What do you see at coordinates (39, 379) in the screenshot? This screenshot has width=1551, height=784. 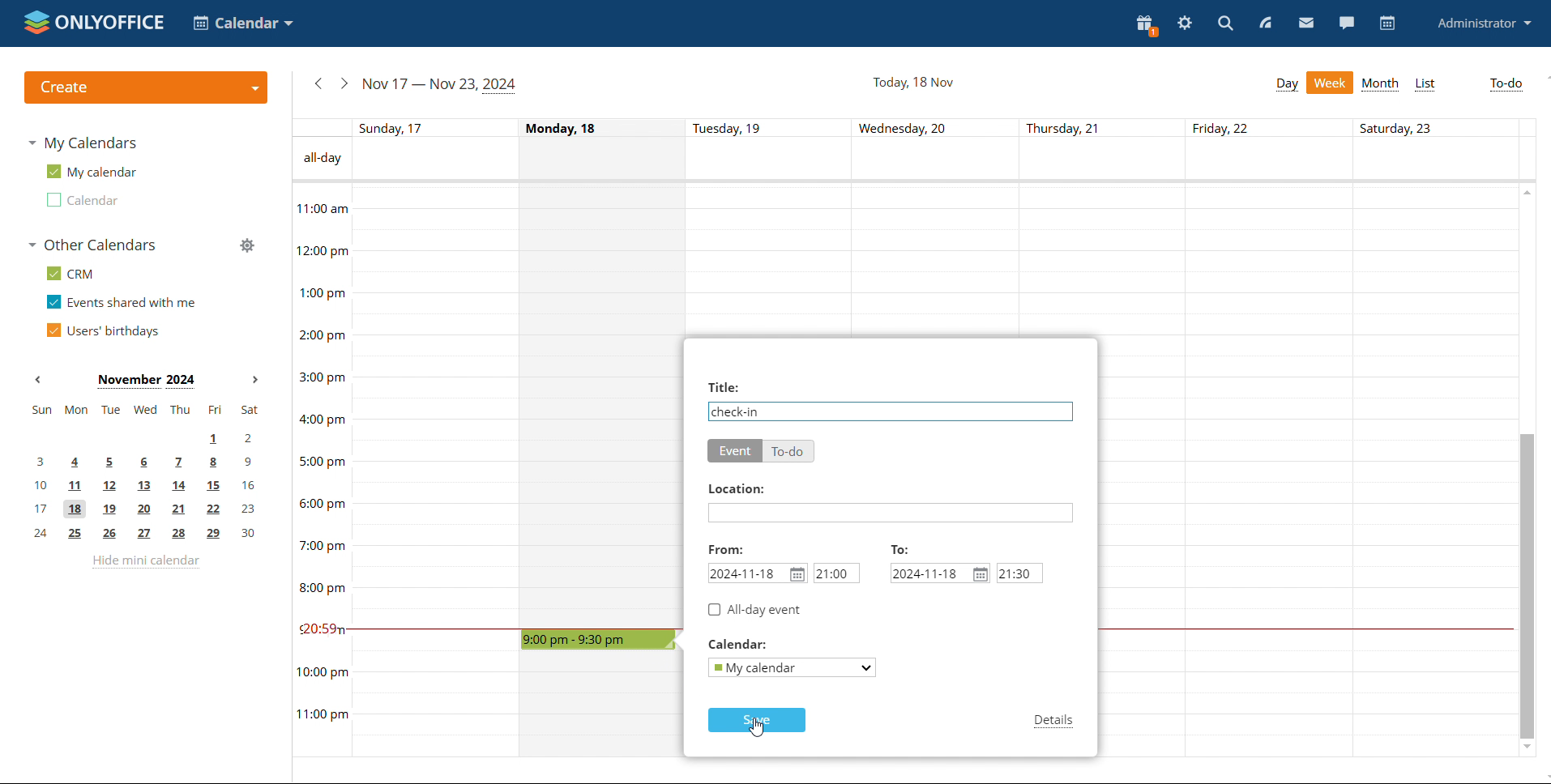 I see `previous month` at bounding box center [39, 379].